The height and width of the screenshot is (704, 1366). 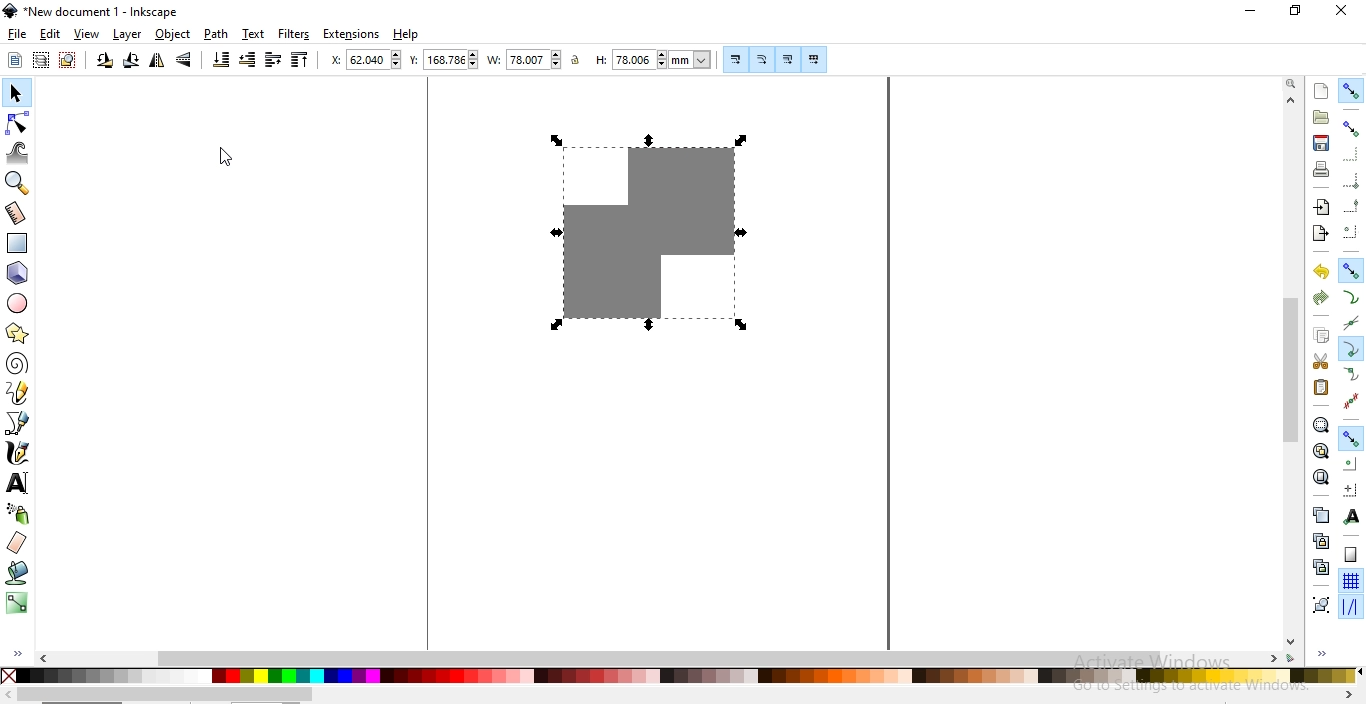 I want to click on scale radii of rounded corners, so click(x=763, y=59).